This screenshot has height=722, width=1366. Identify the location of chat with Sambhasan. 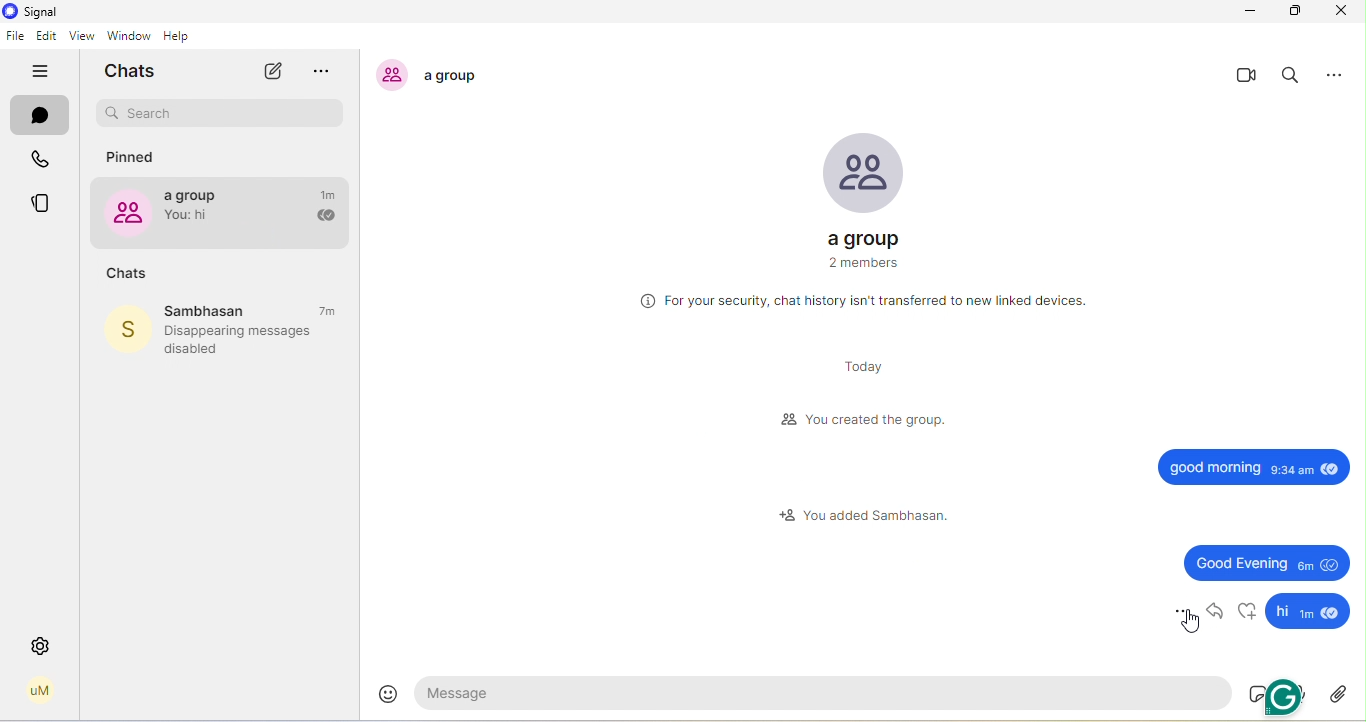
(254, 311).